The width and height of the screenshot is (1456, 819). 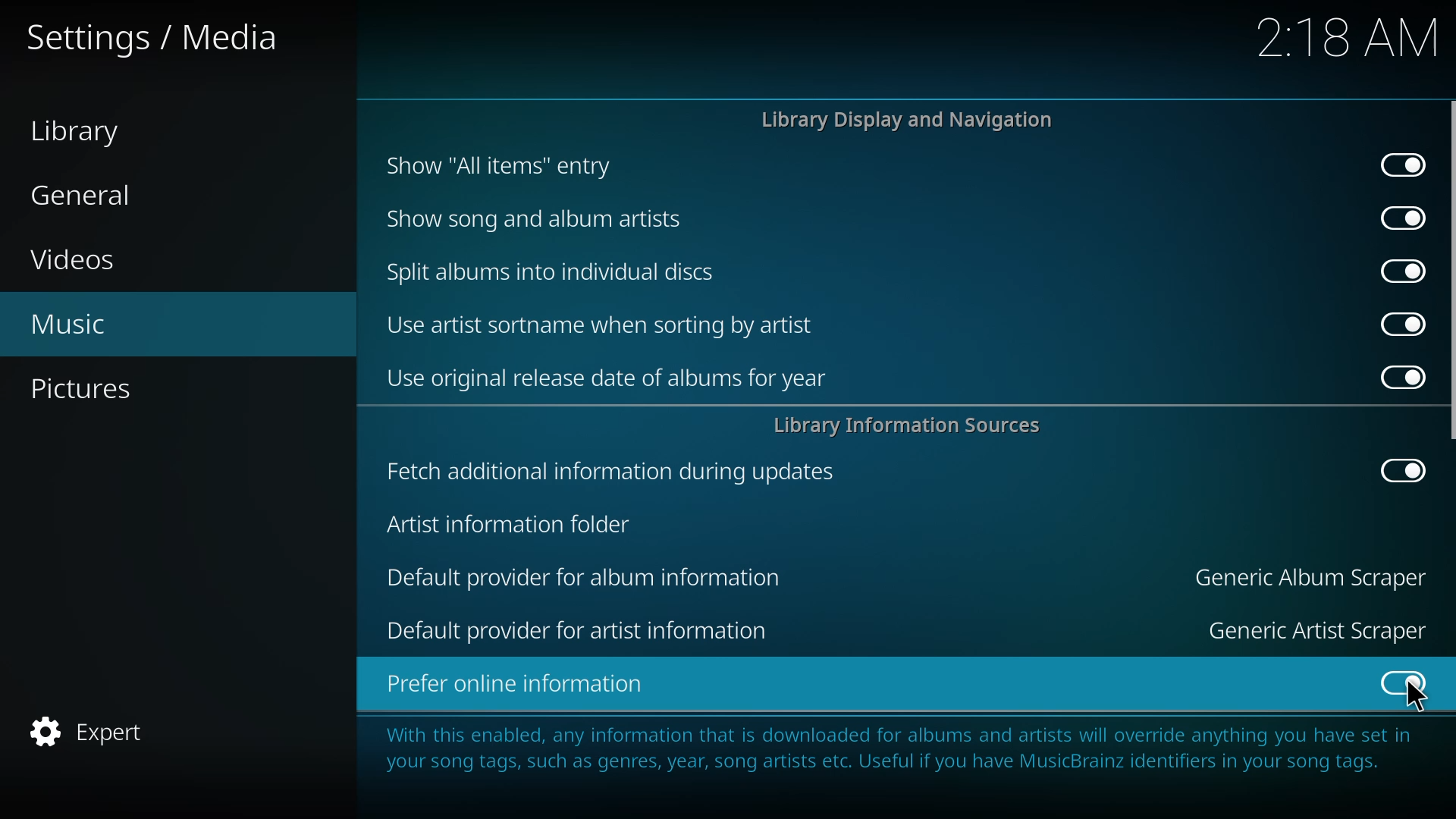 I want to click on enabled, so click(x=1398, y=217).